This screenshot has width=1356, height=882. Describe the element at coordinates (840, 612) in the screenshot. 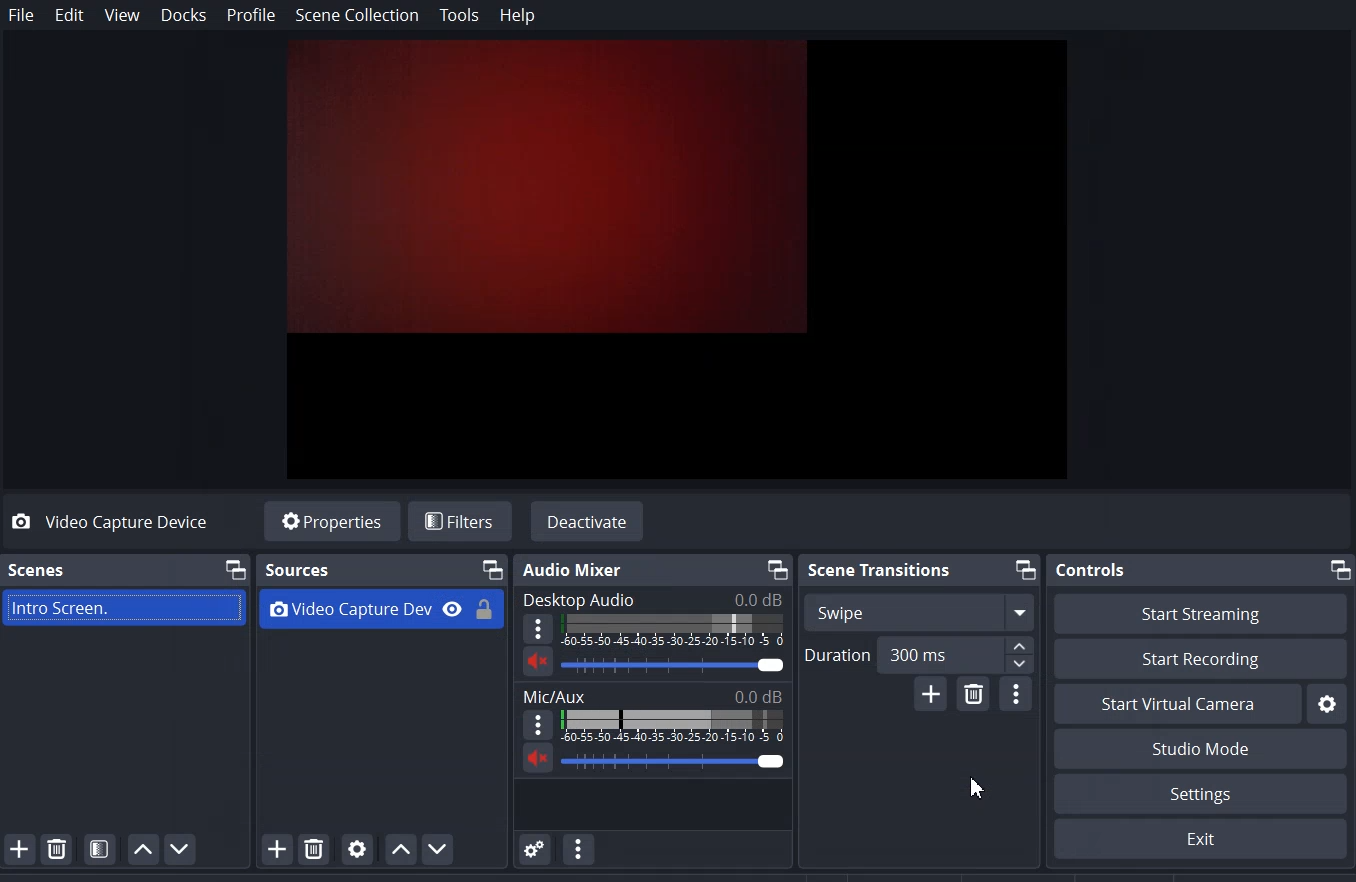

I see `Swipe` at that location.